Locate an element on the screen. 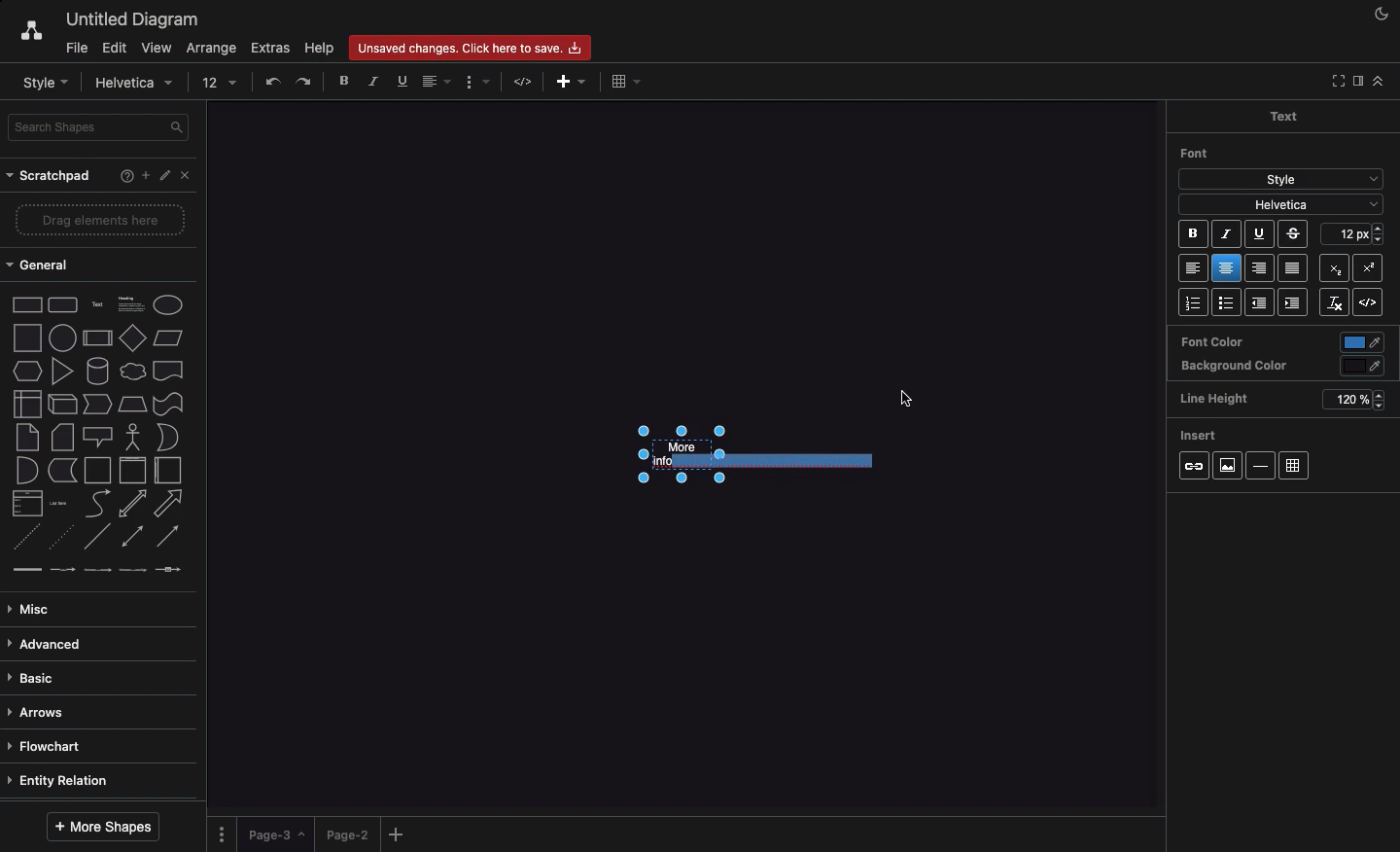 The width and height of the screenshot is (1400, 852). Entity relation is located at coordinates (61, 782).